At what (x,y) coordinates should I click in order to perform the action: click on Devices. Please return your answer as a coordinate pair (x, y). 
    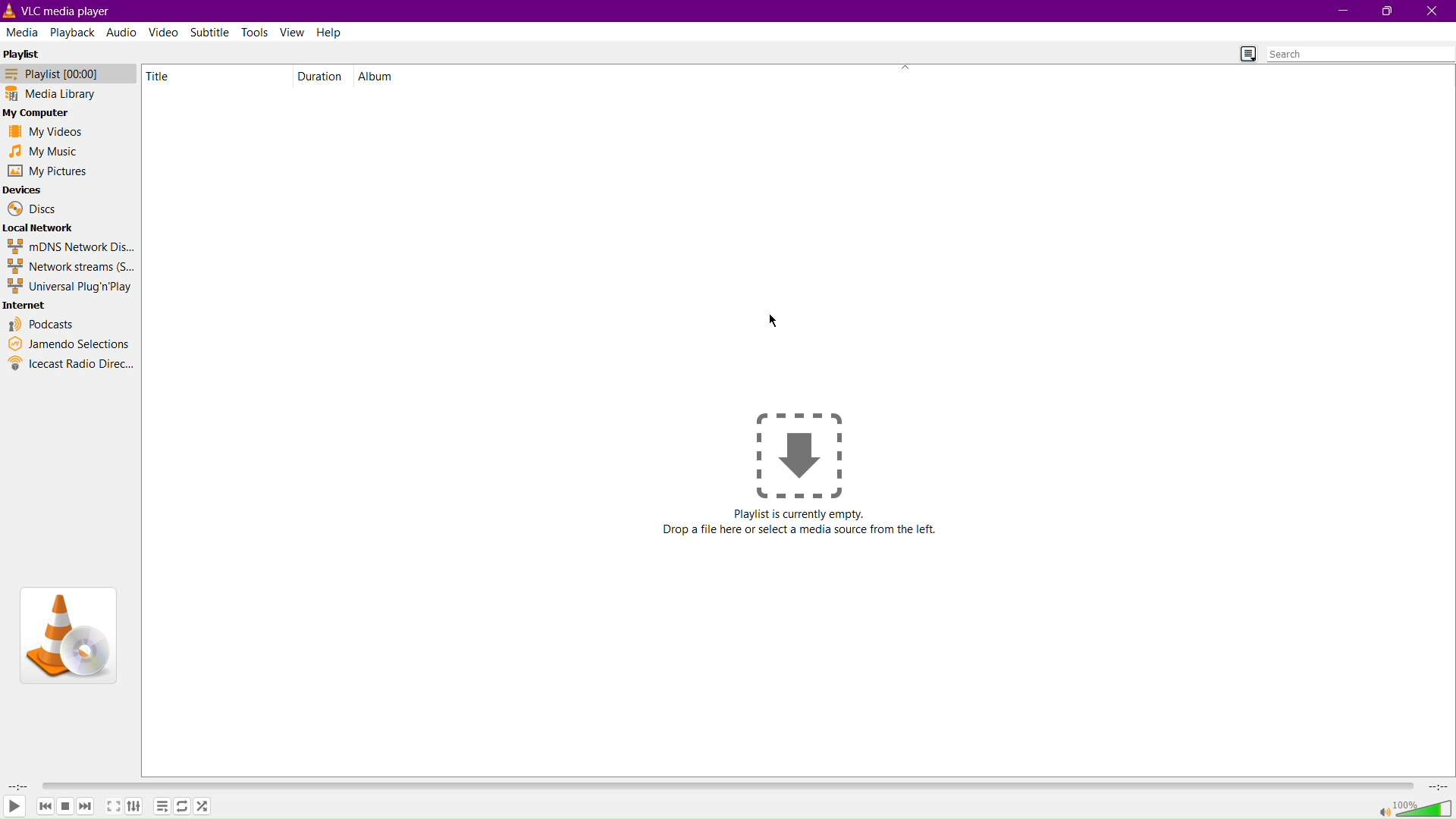
    Looking at the image, I should click on (24, 190).